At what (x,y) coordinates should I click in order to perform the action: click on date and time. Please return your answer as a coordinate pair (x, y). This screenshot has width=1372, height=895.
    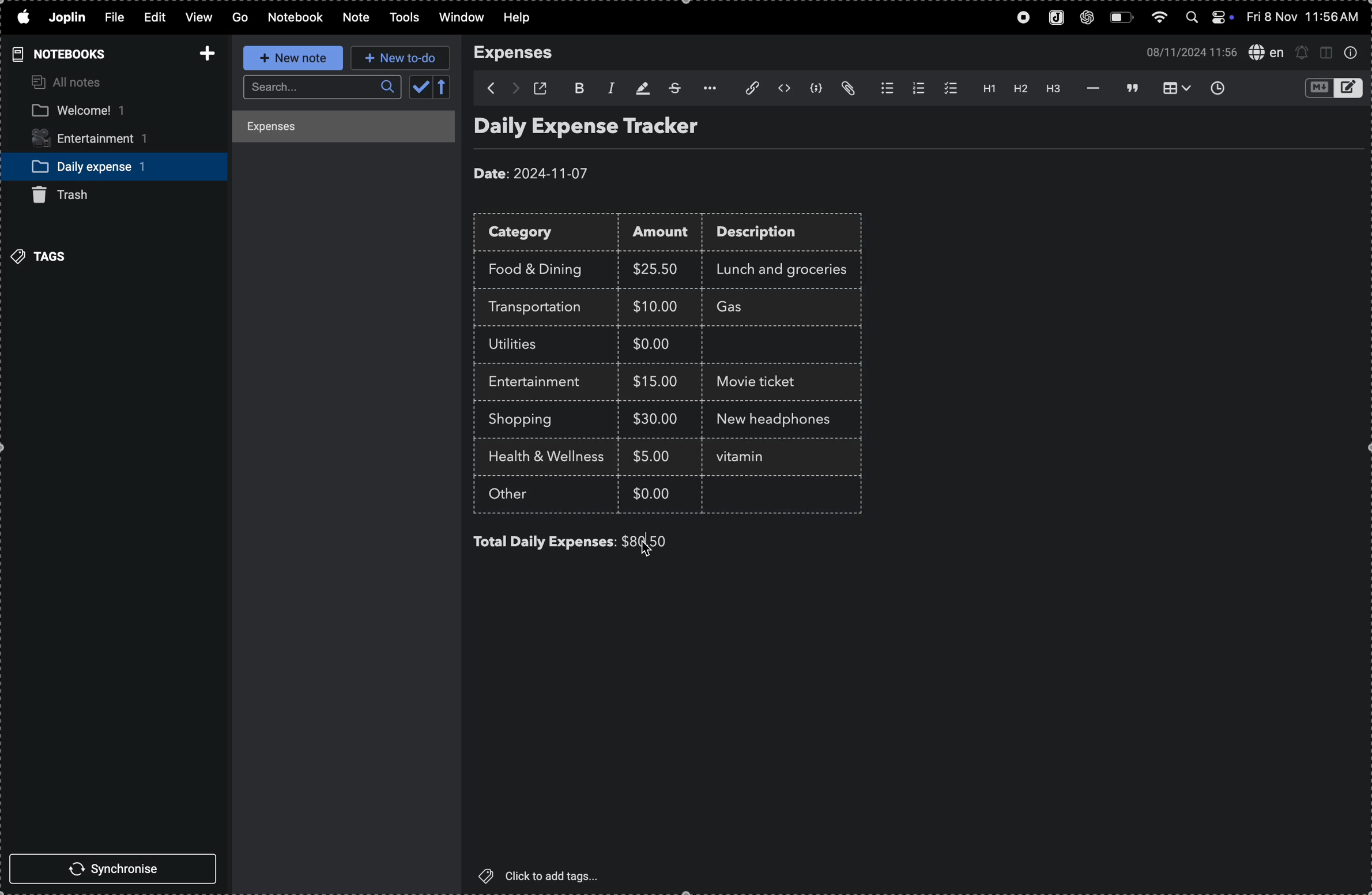
    Looking at the image, I should click on (1187, 51).